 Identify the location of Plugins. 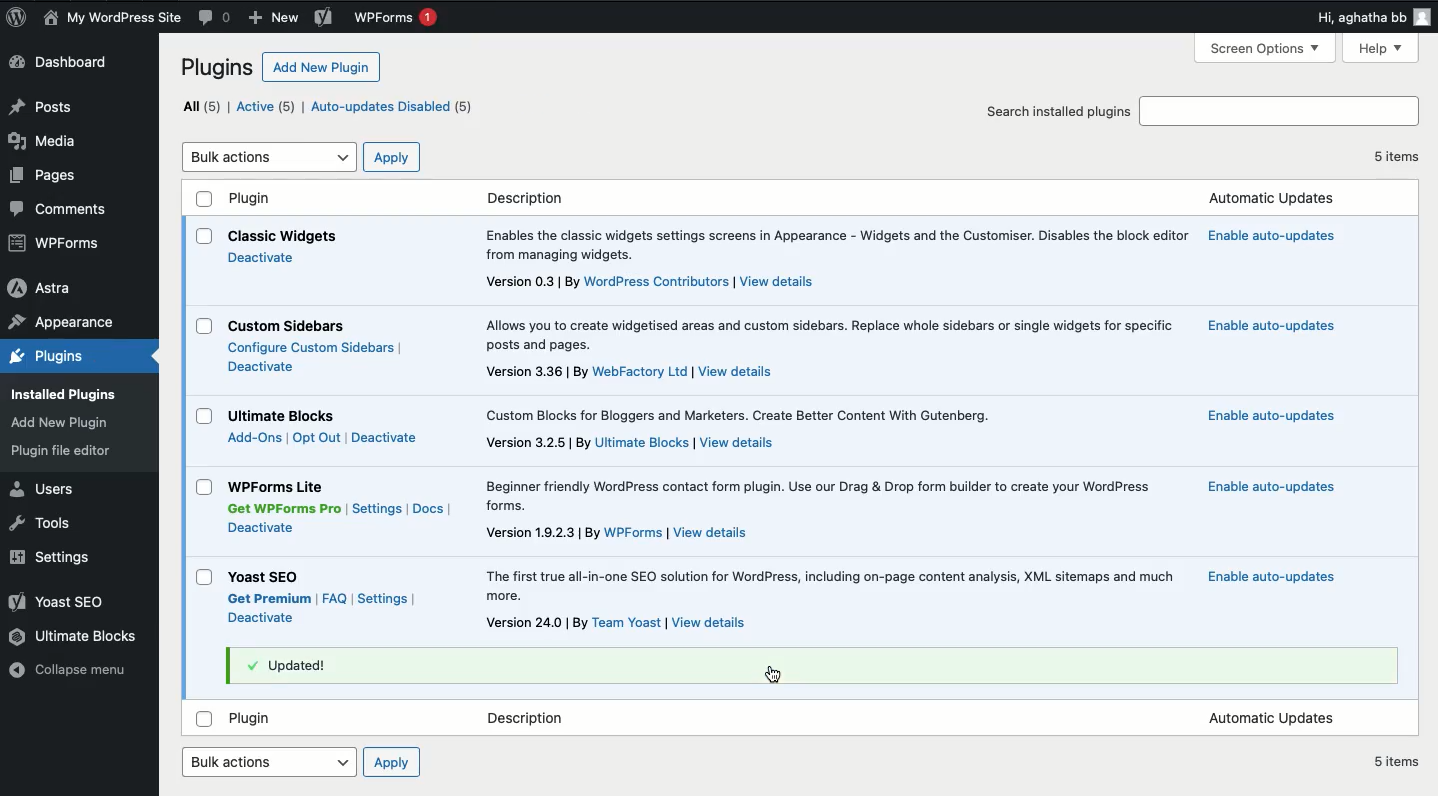
(56, 358).